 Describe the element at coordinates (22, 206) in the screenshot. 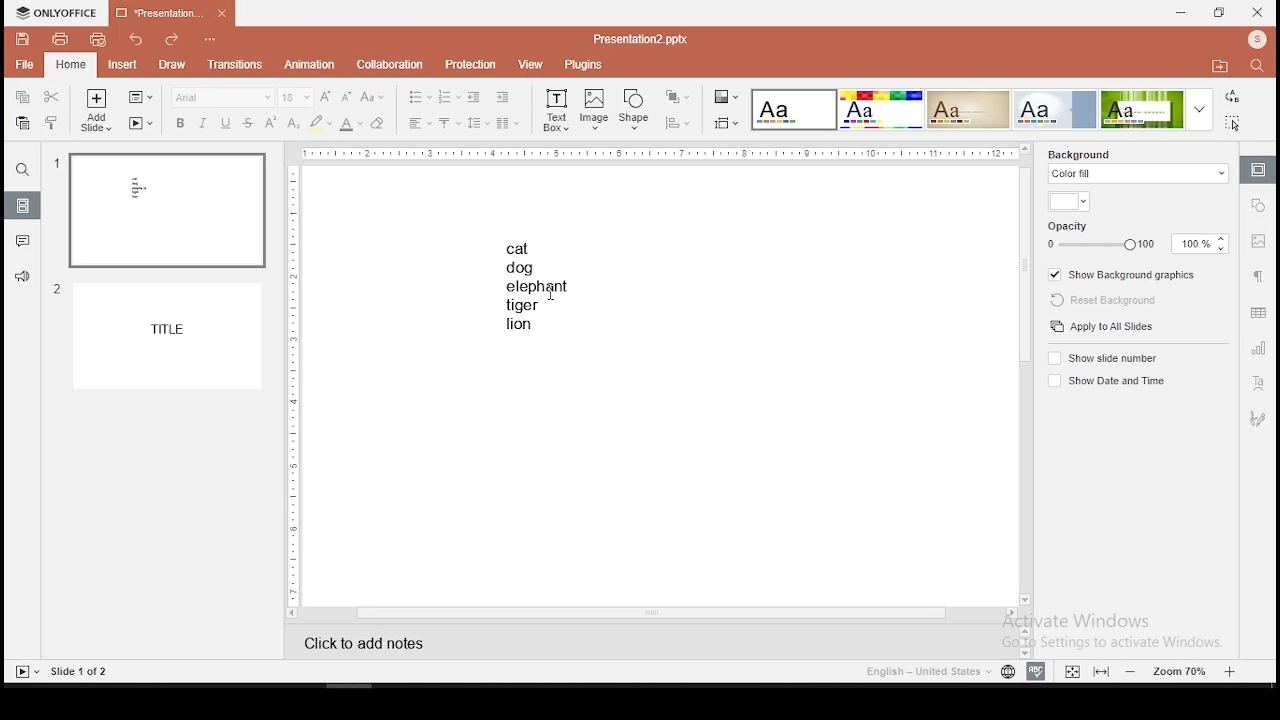

I see `slides` at that location.